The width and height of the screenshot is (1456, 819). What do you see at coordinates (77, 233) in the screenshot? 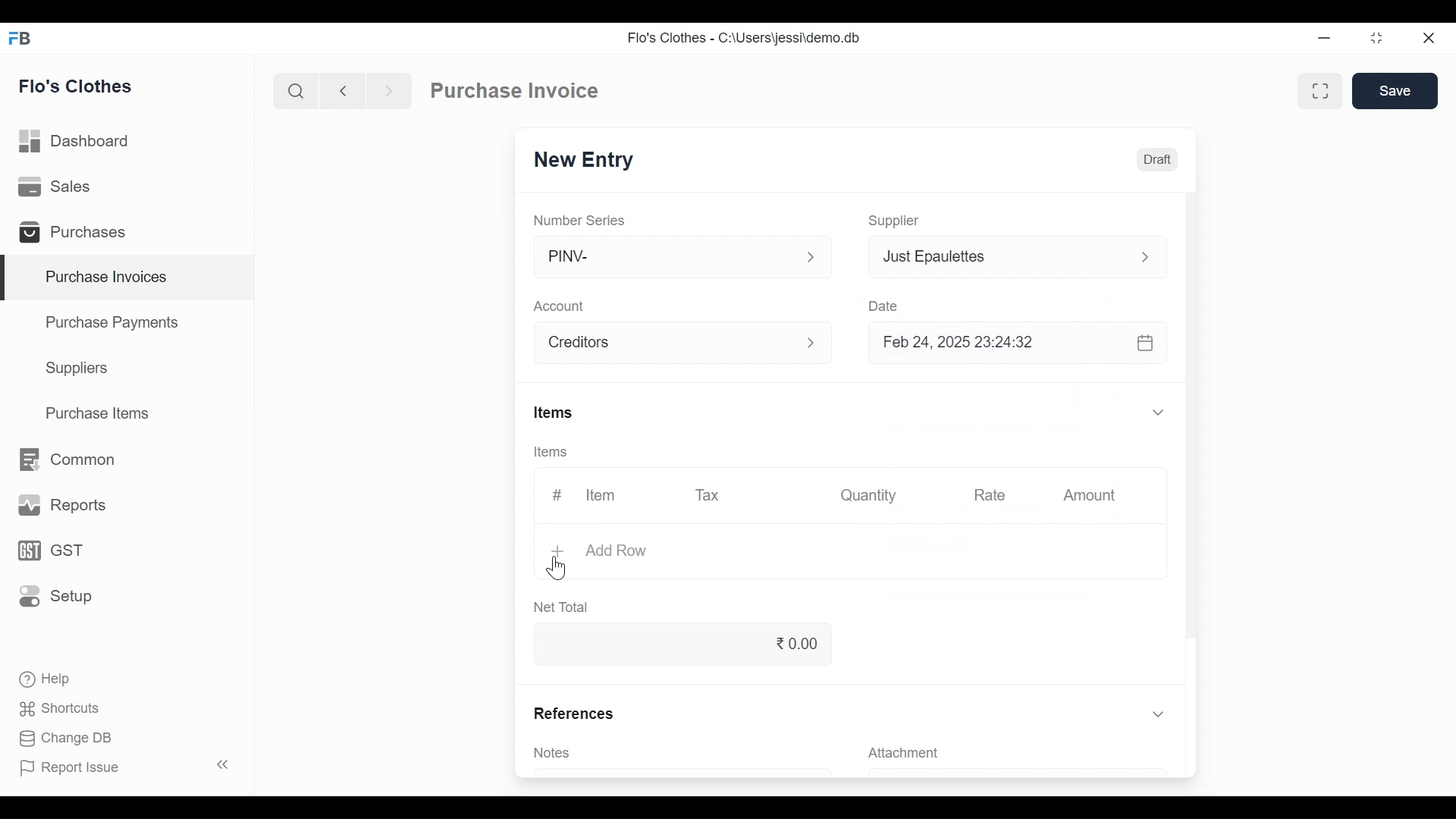
I see `Purchases` at bounding box center [77, 233].